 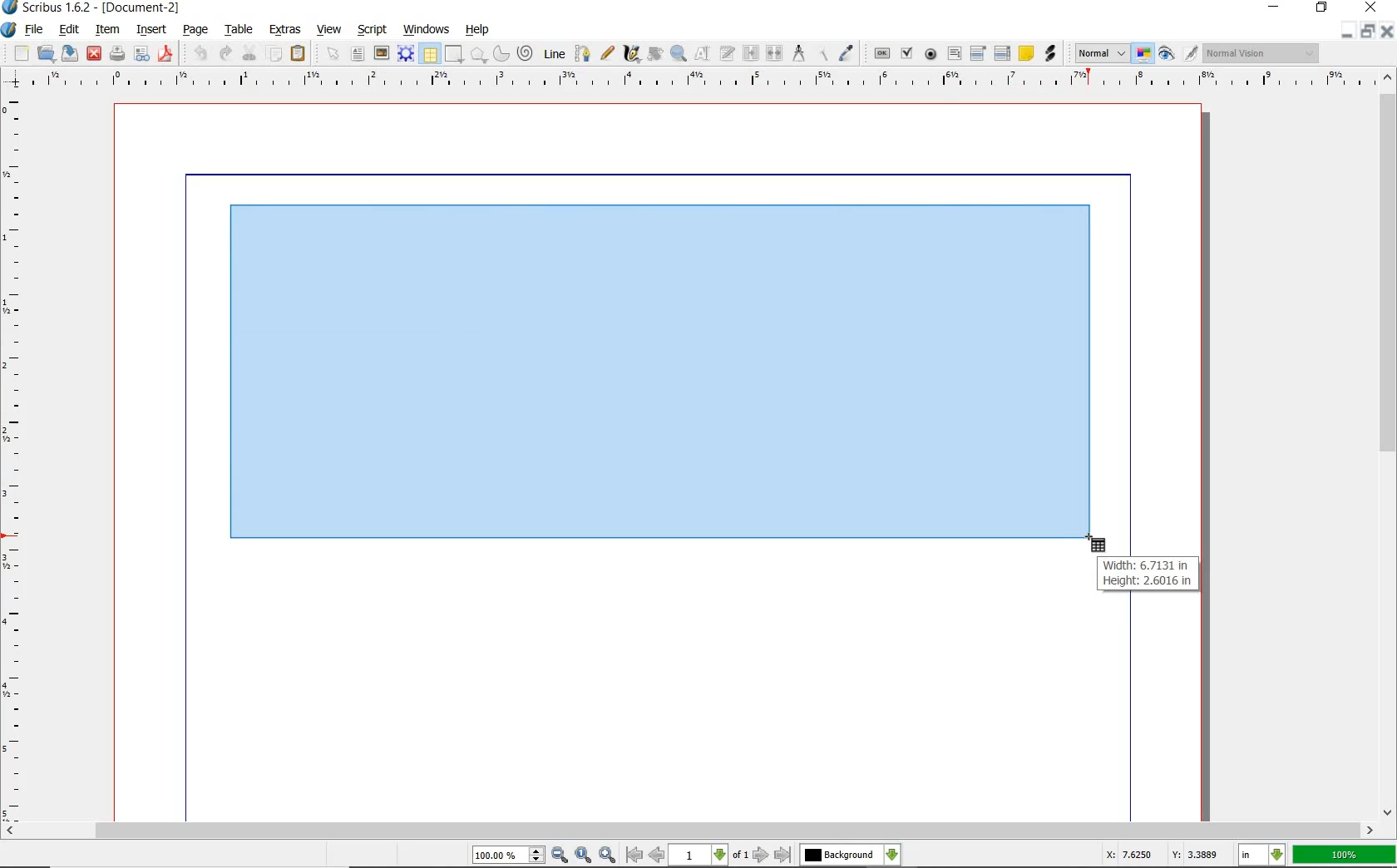 I want to click on link text frame, so click(x=749, y=54).